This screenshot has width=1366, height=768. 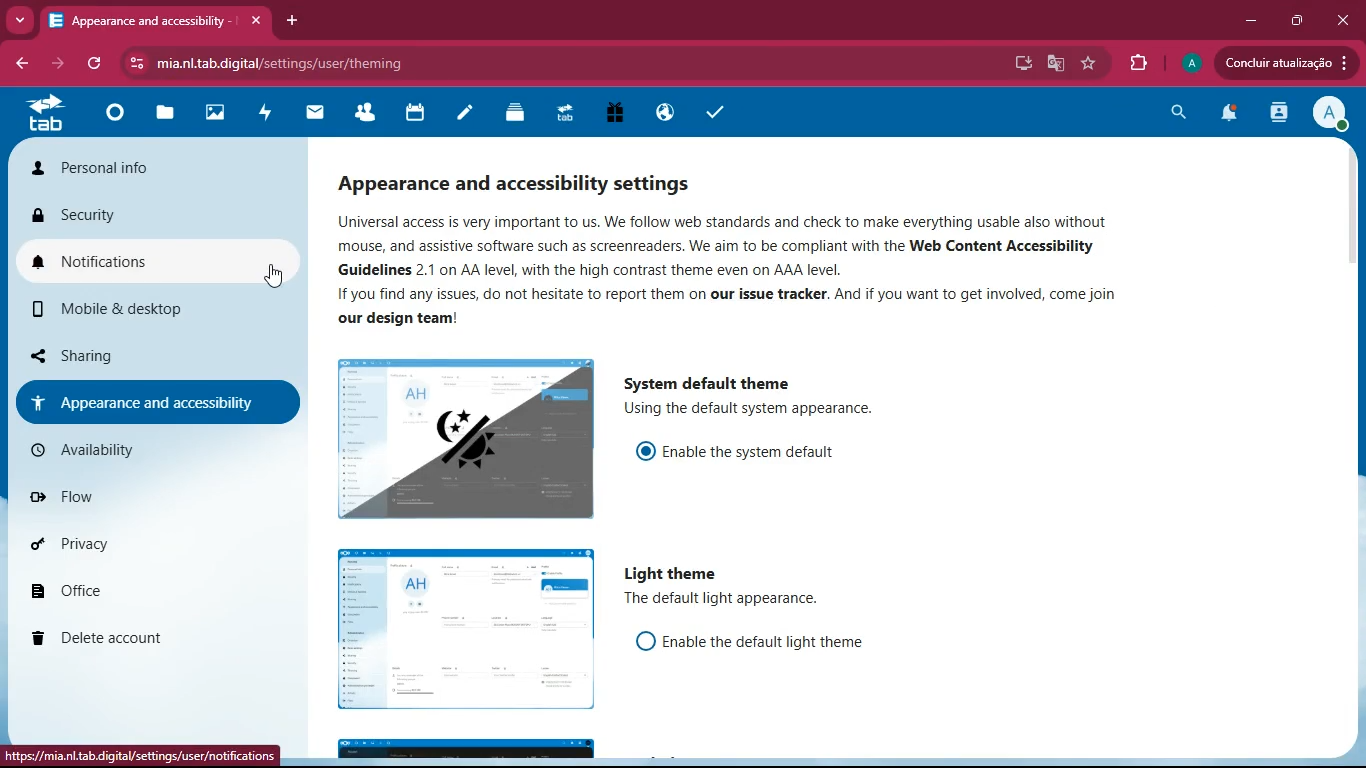 What do you see at coordinates (322, 115) in the screenshot?
I see `mail` at bounding box center [322, 115].